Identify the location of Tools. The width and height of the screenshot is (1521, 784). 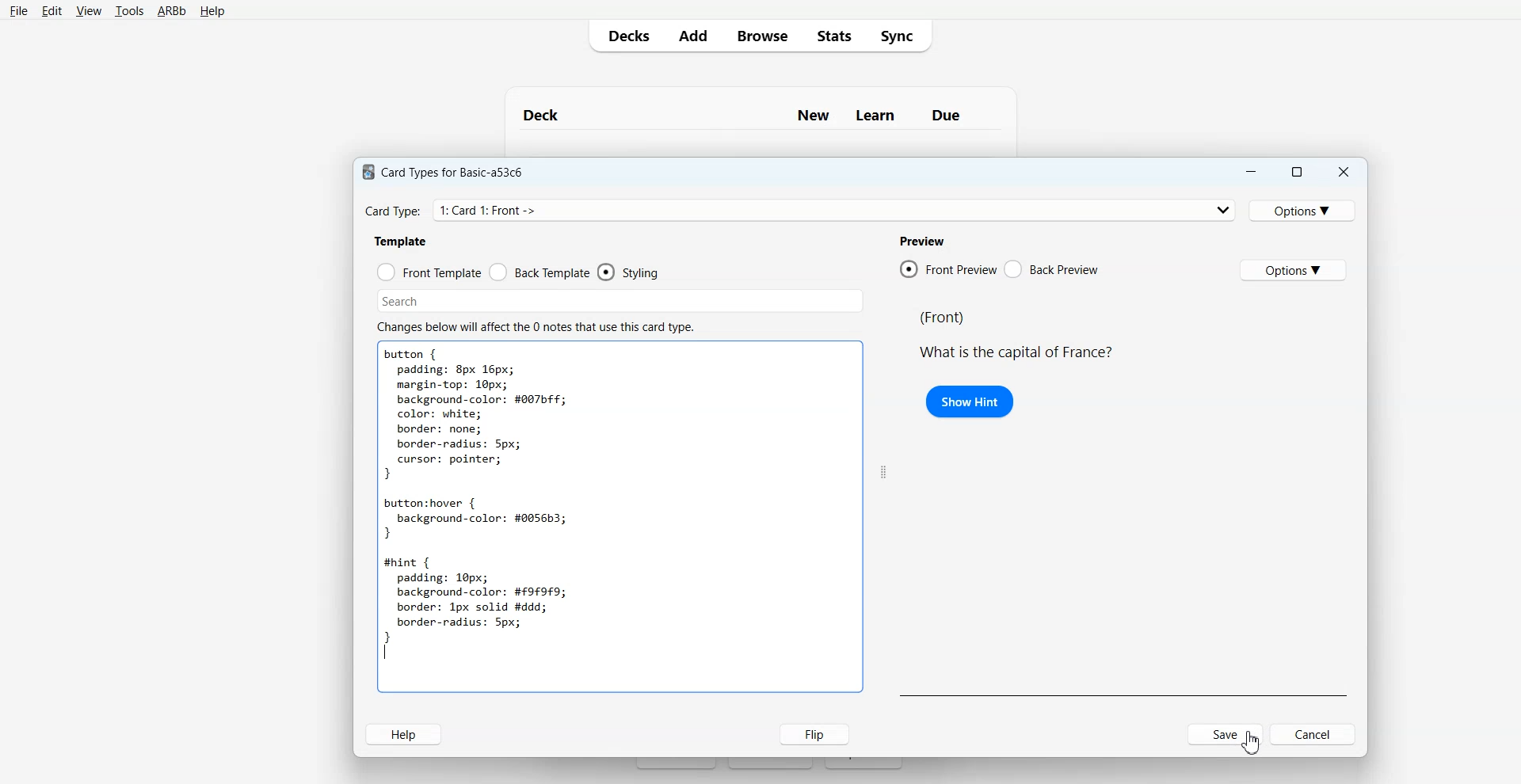
(129, 12).